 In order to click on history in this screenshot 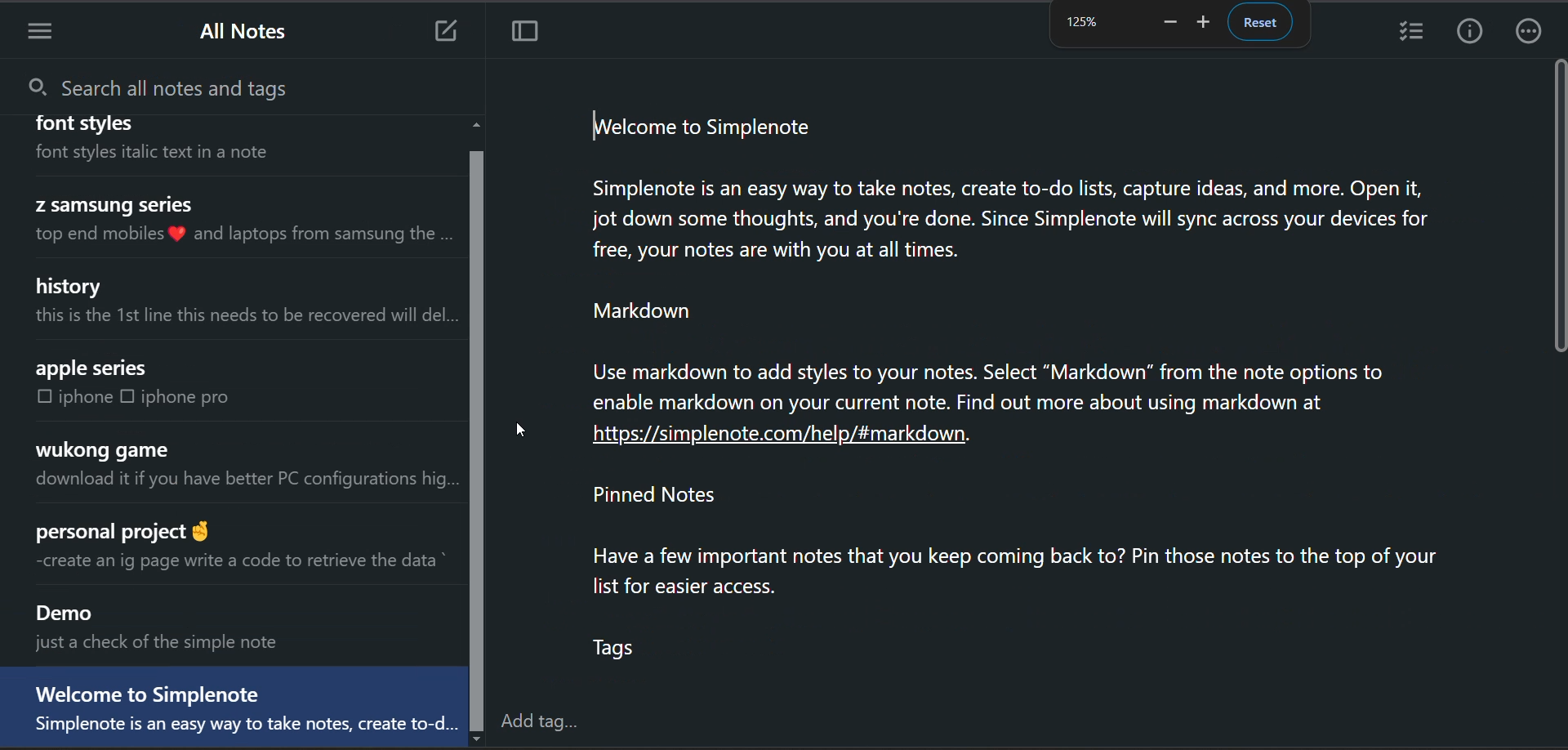, I will do `click(71, 283)`.